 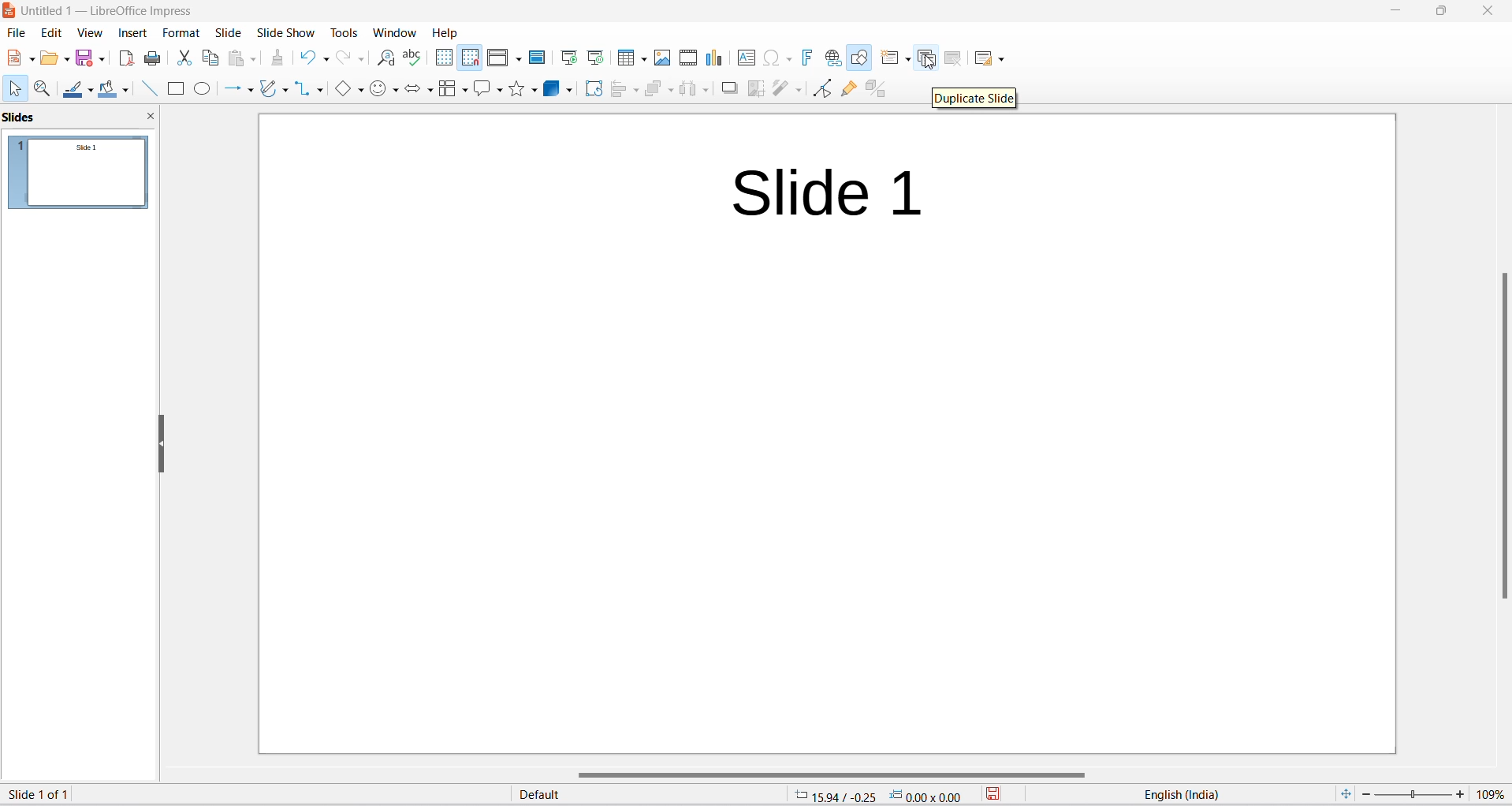 What do you see at coordinates (1499, 432) in the screenshot?
I see `Scroll bar` at bounding box center [1499, 432].